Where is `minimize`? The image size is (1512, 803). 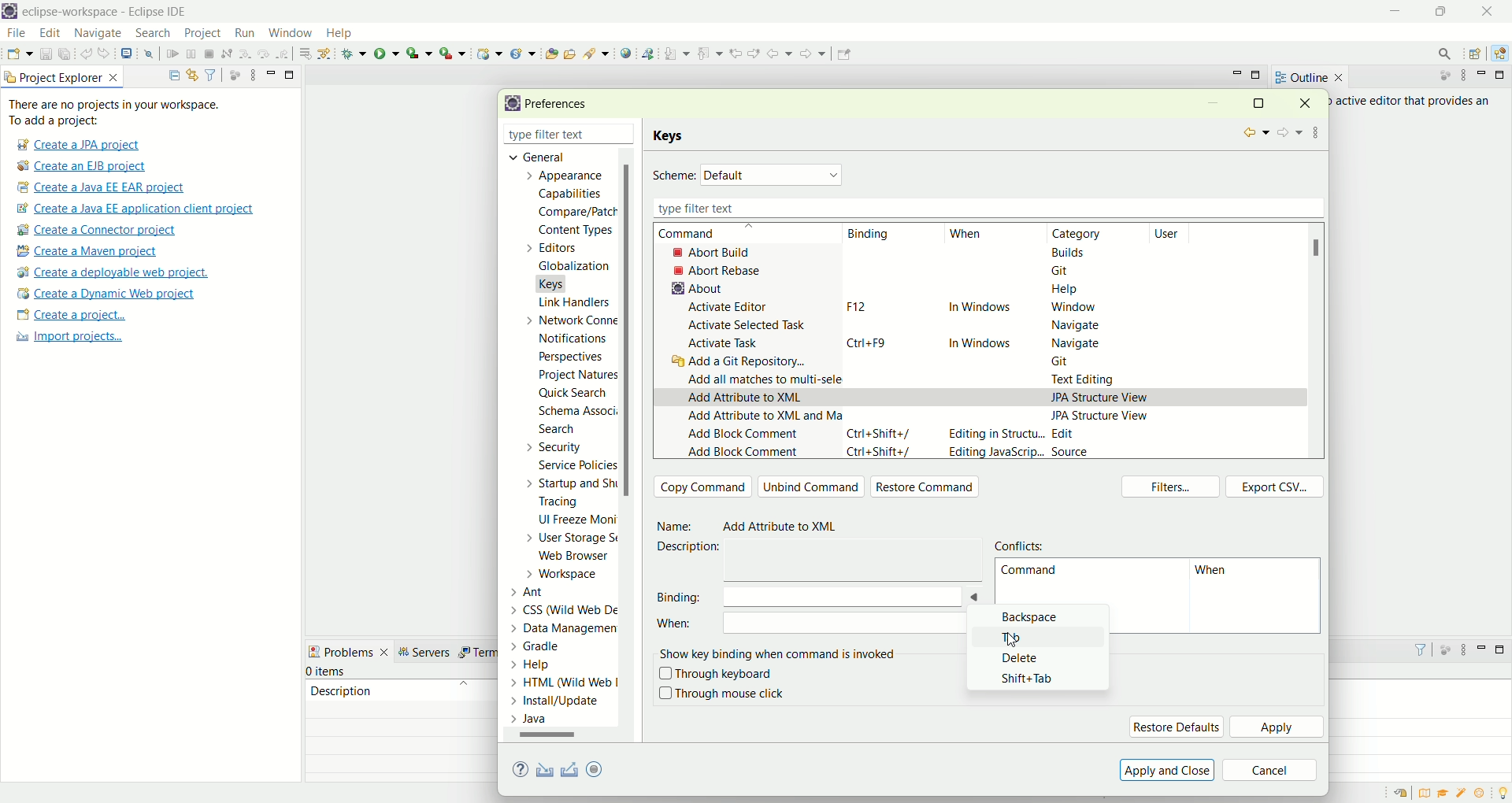
minimize is located at coordinates (1397, 12).